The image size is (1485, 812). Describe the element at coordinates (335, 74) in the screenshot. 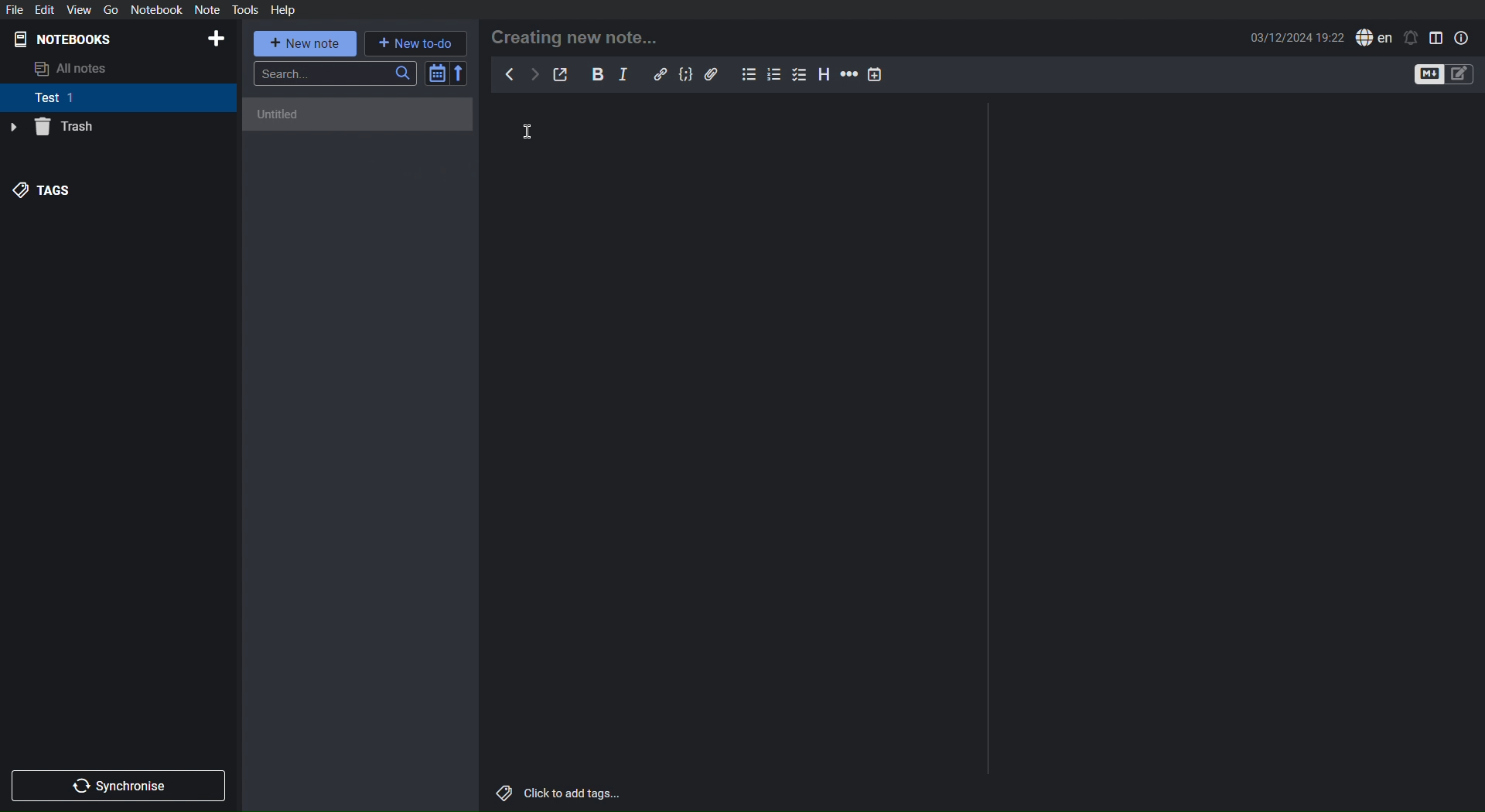

I see `Search` at that location.